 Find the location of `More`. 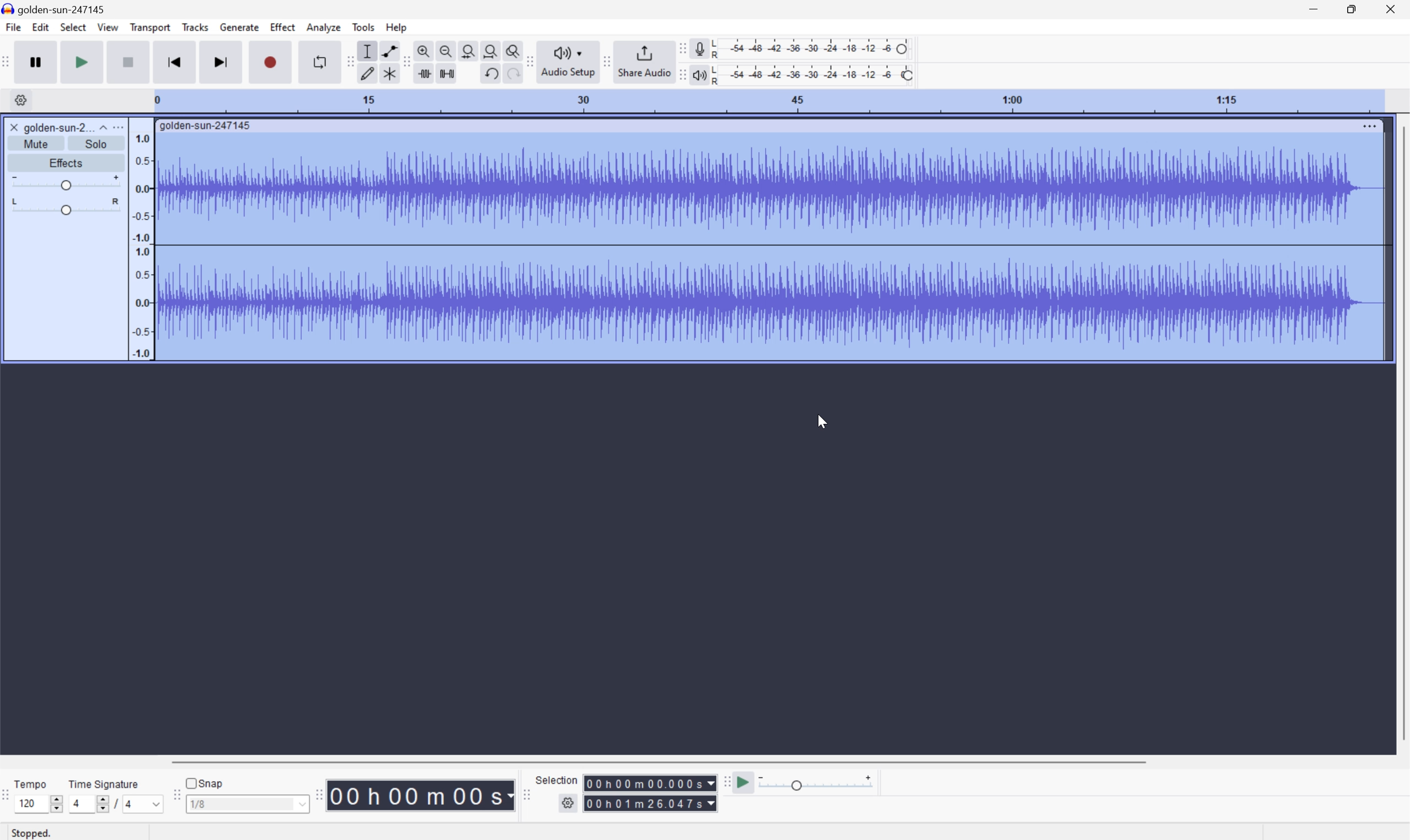

More is located at coordinates (121, 126).